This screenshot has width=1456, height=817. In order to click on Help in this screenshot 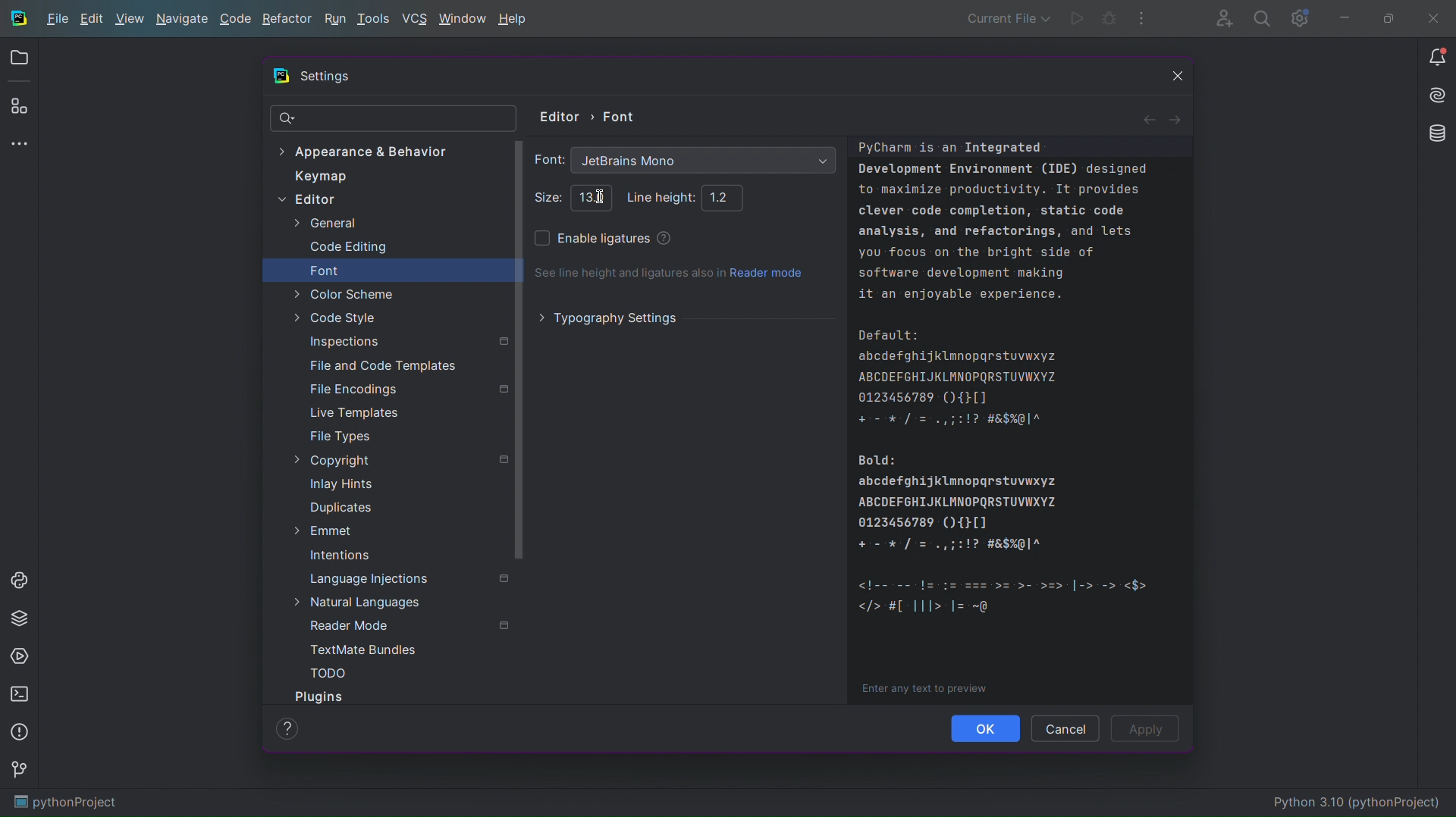, I will do `click(287, 728)`.